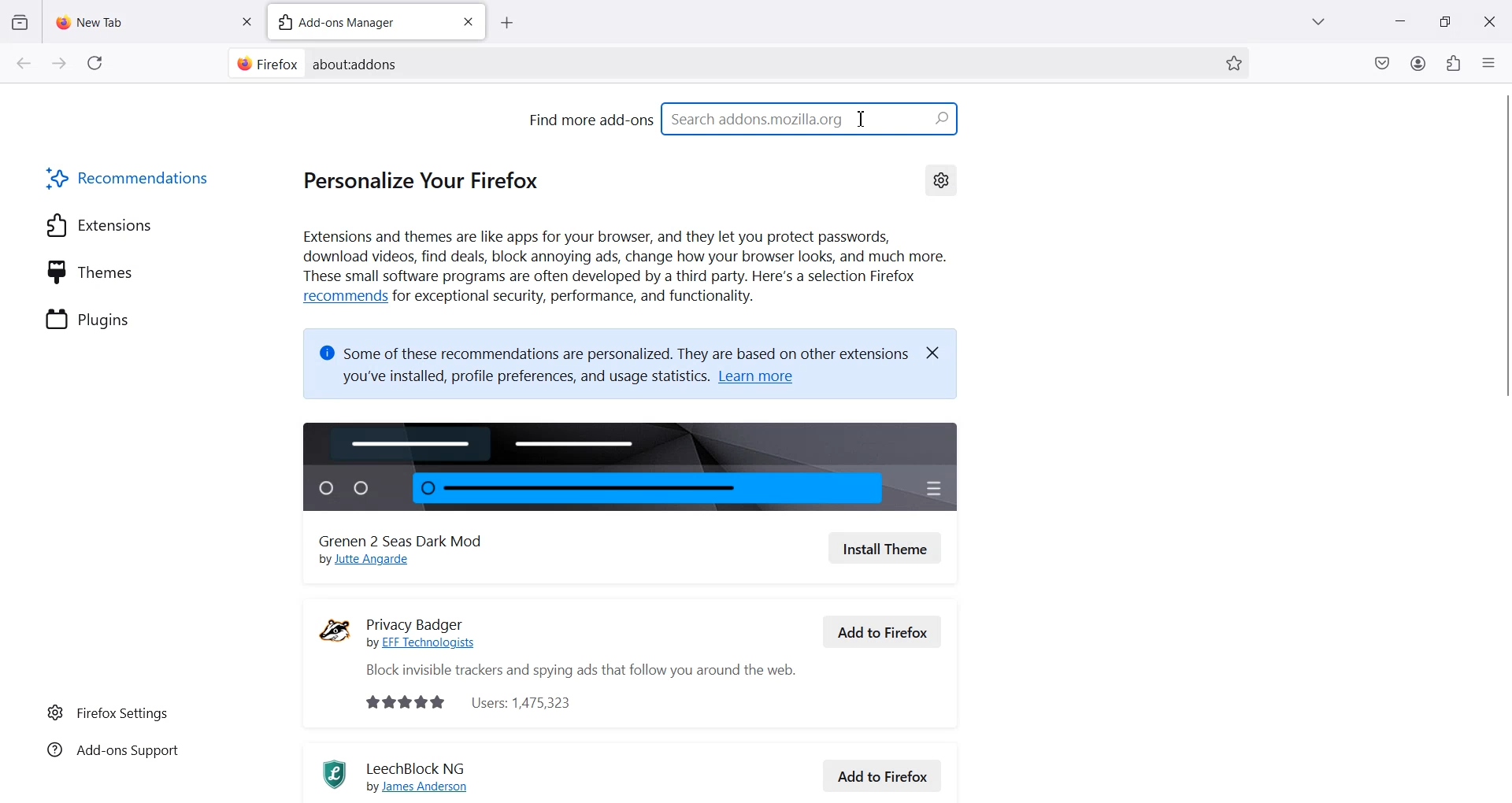  Describe the element at coordinates (99, 224) in the screenshot. I see `Extensions` at that location.